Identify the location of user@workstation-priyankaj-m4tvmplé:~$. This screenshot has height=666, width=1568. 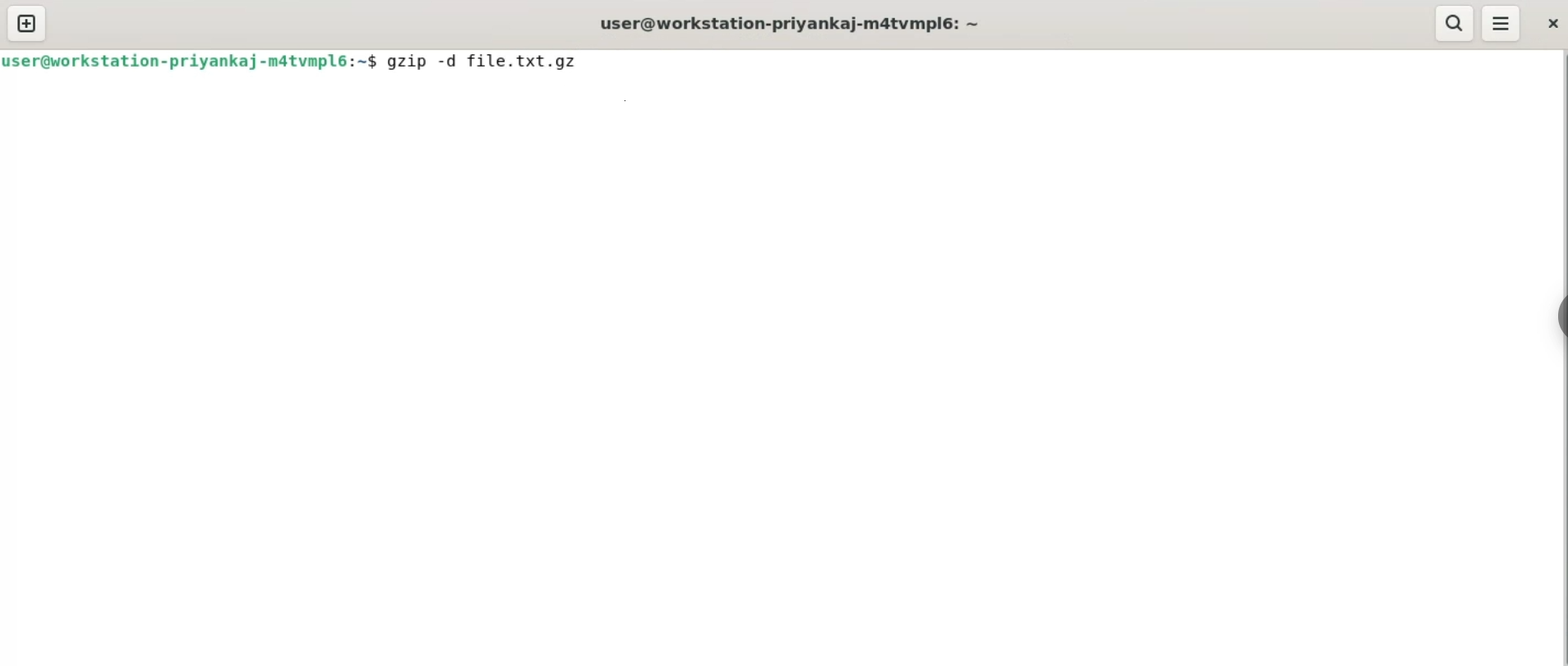
(191, 62).